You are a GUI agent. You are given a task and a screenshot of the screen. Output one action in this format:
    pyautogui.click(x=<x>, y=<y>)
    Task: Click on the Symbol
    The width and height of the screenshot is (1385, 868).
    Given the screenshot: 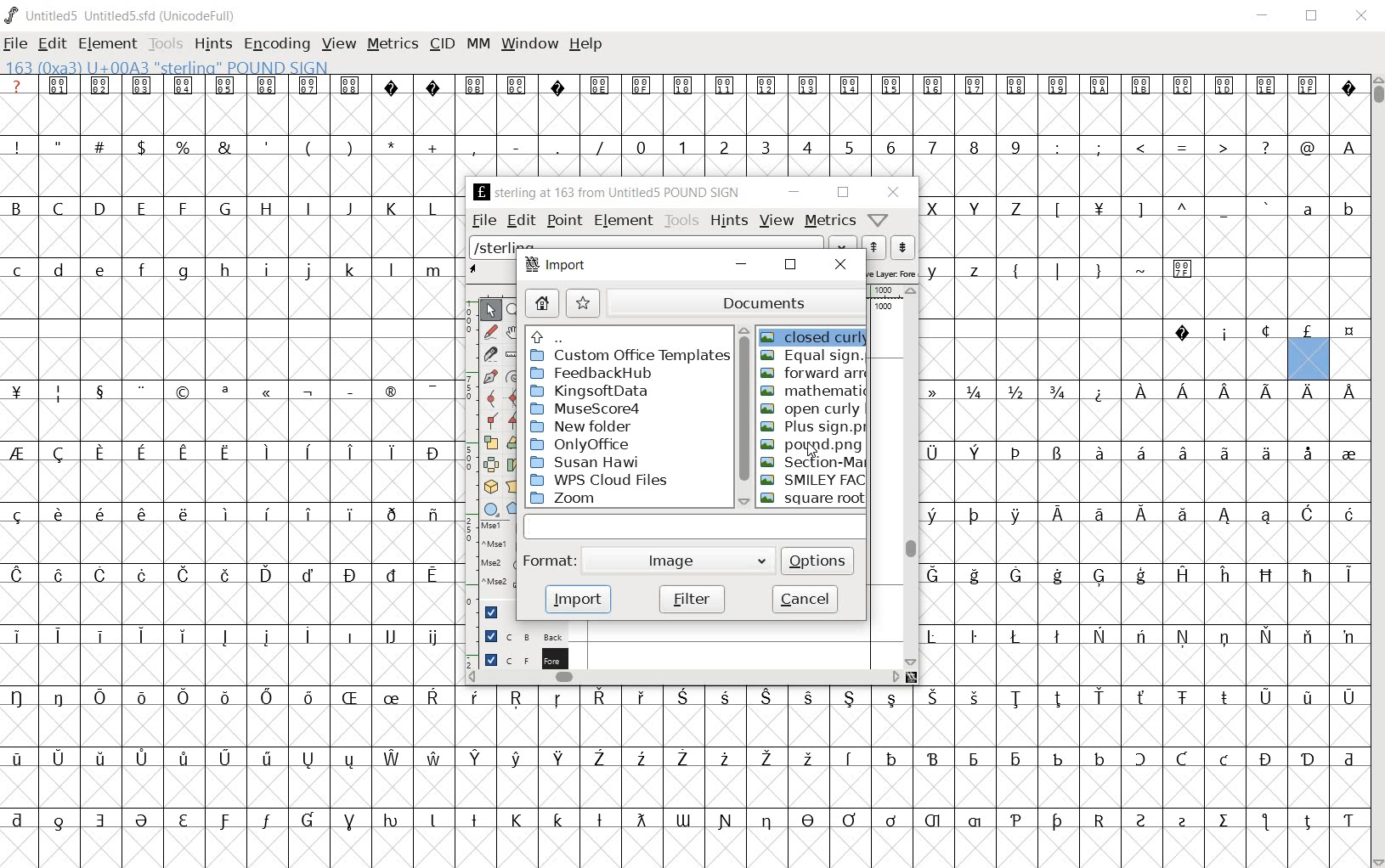 What is the action you would take?
    pyautogui.click(x=1307, y=697)
    